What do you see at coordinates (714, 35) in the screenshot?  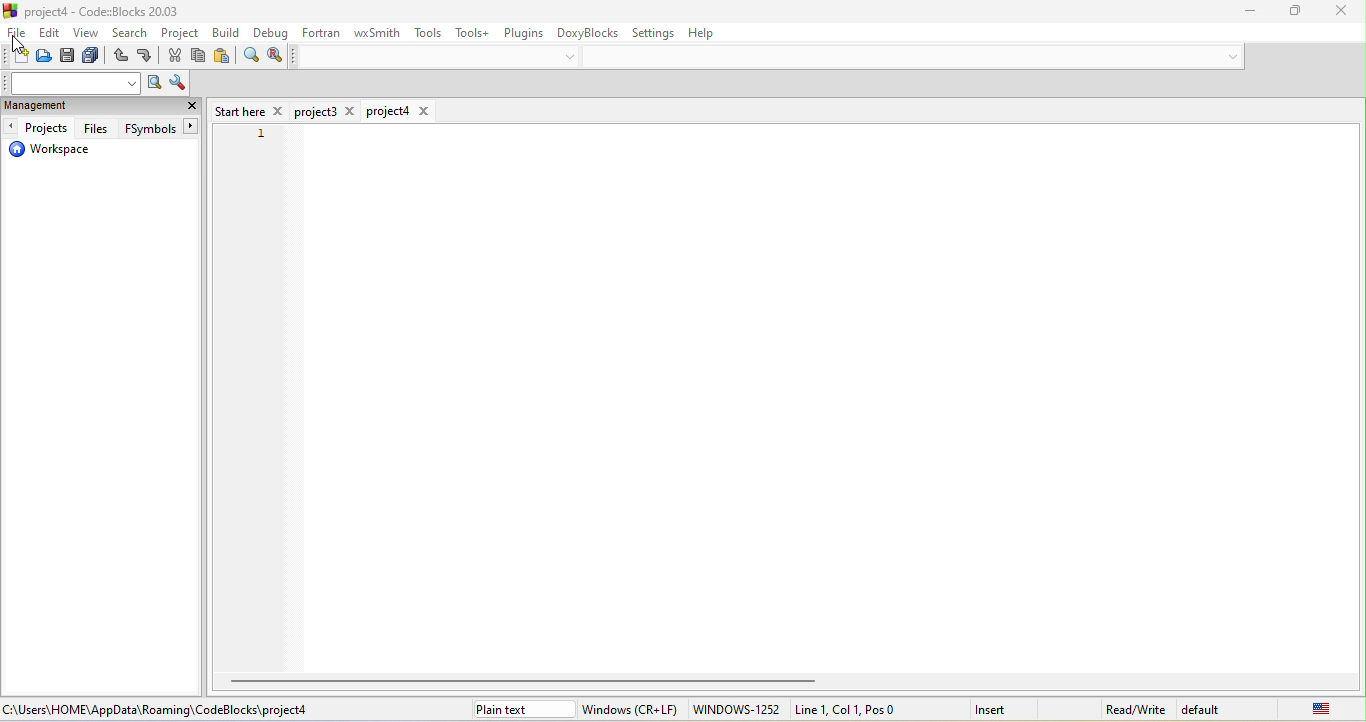 I see `help` at bounding box center [714, 35].